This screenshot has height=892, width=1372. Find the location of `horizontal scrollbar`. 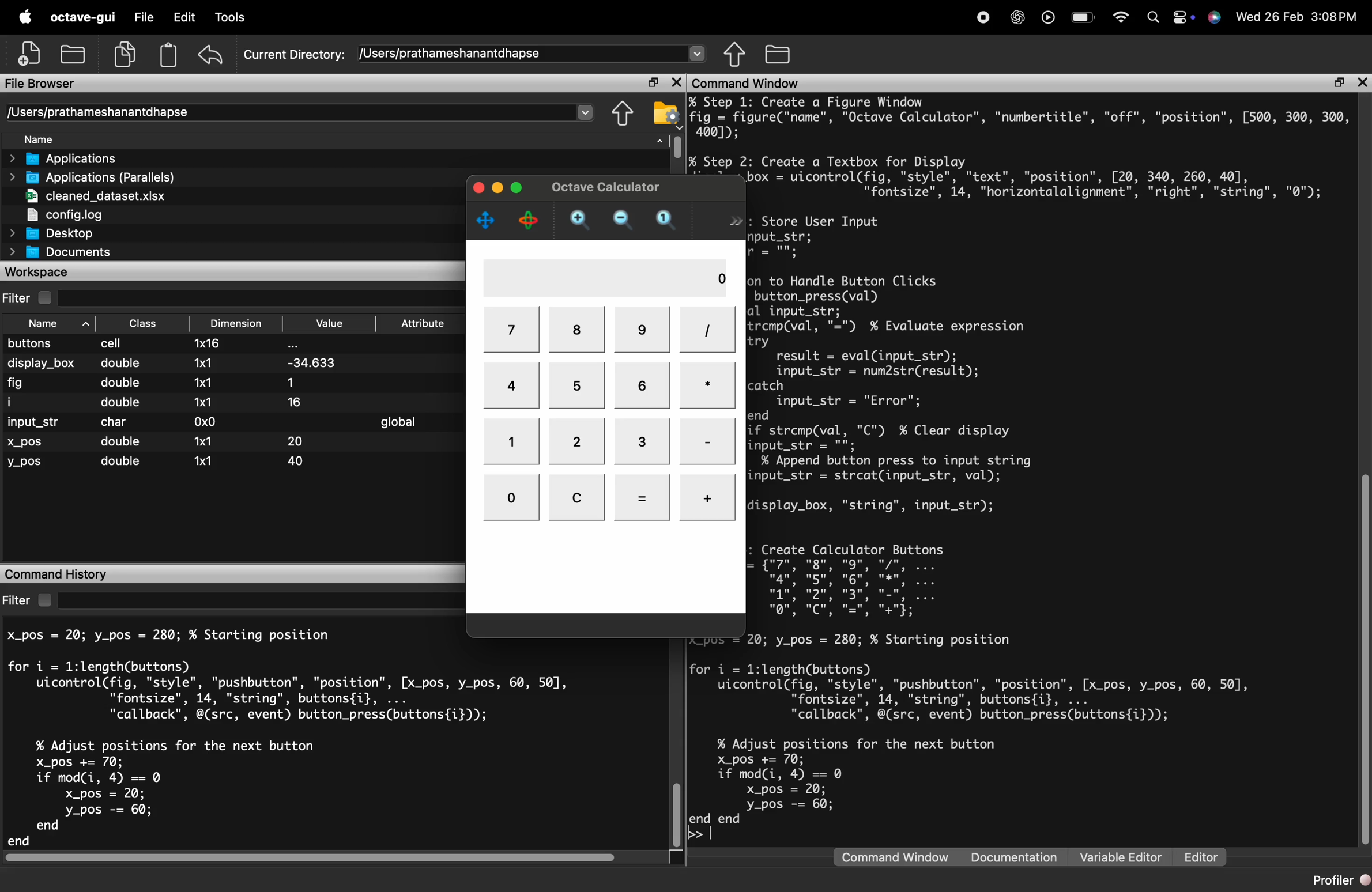

horizontal scrollbar is located at coordinates (310, 857).